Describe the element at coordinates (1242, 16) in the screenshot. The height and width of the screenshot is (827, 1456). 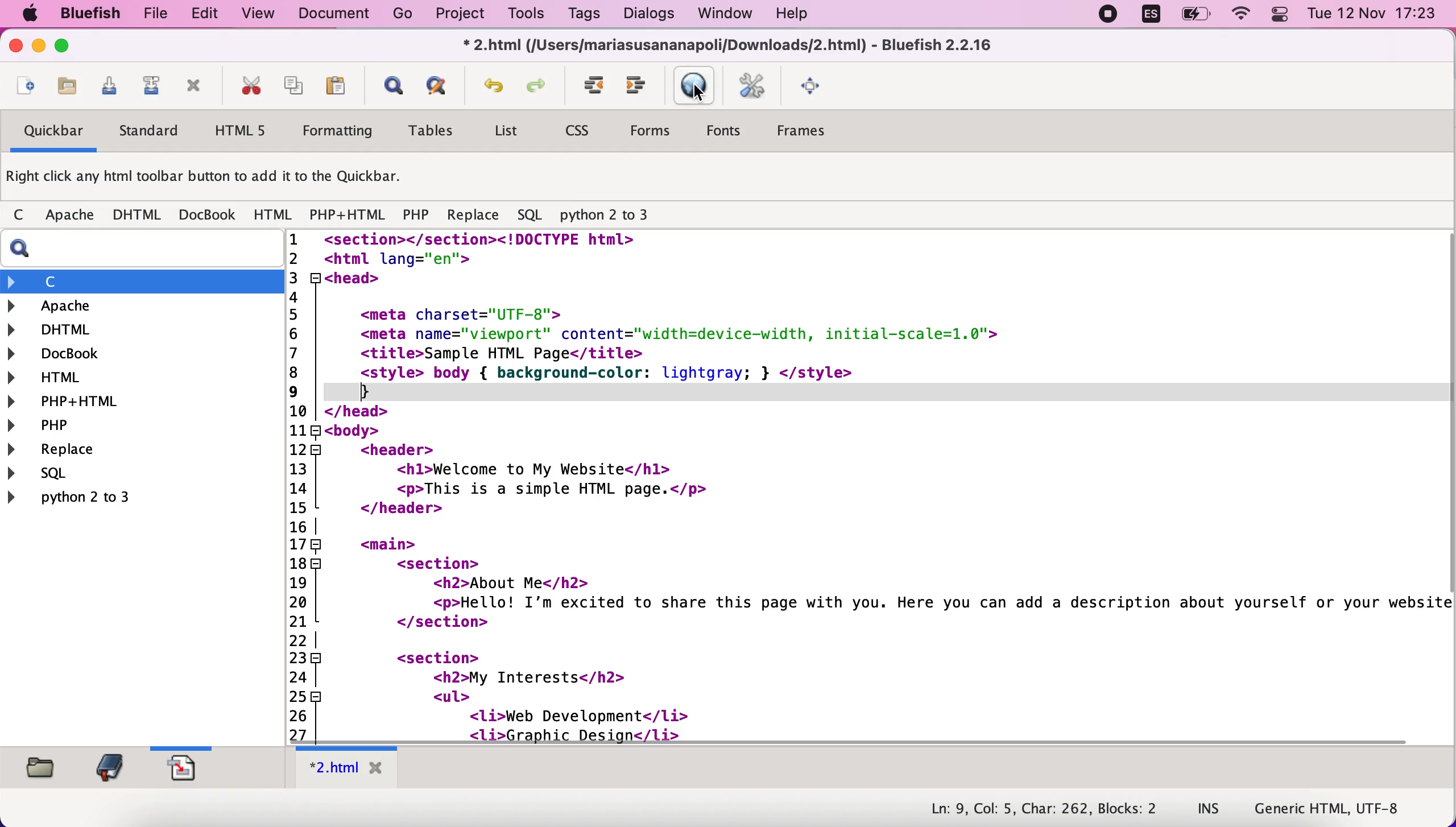
I see `wifi` at that location.